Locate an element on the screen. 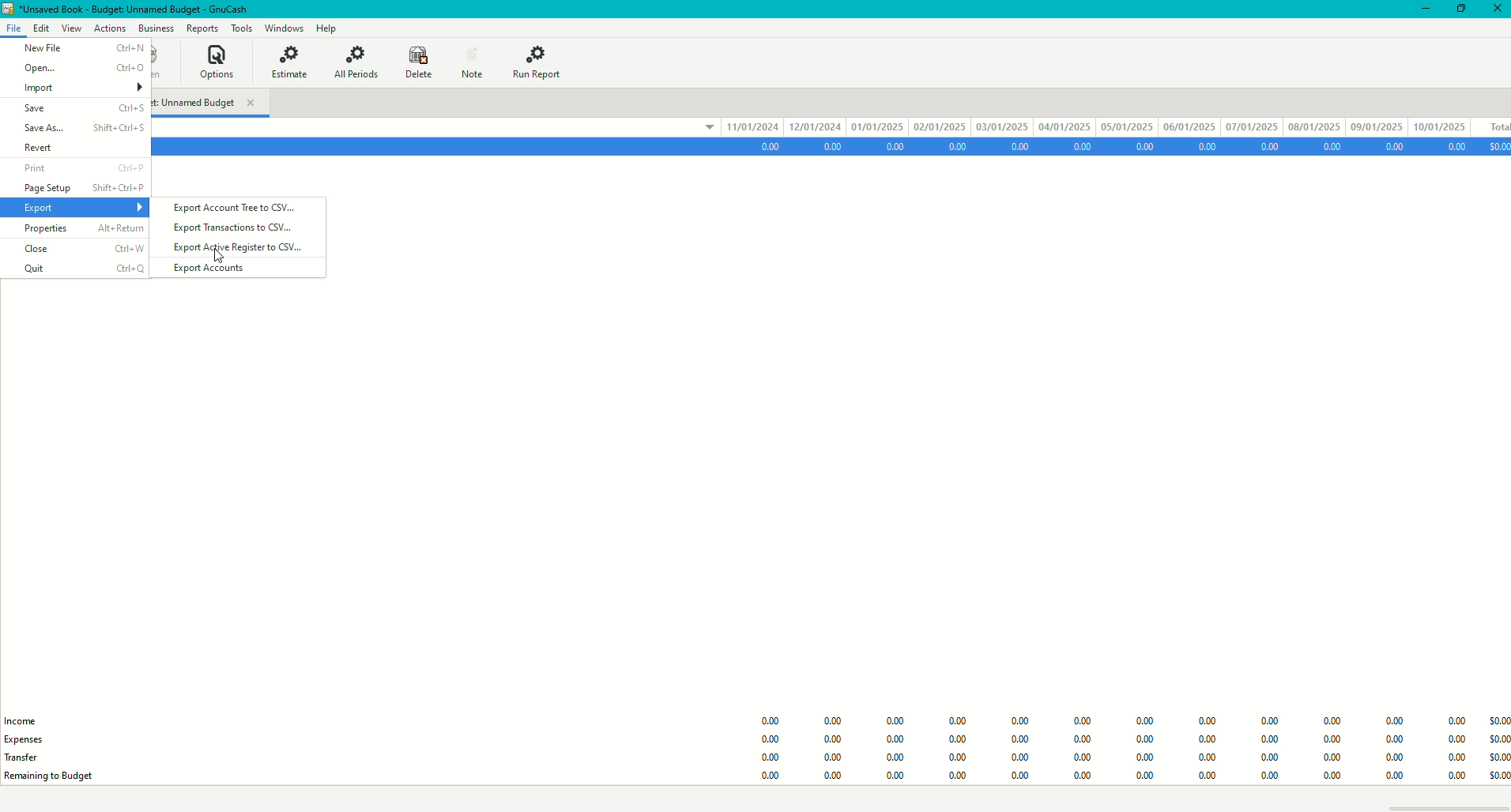 This screenshot has height=812, width=1511. File is located at coordinates (14, 26).